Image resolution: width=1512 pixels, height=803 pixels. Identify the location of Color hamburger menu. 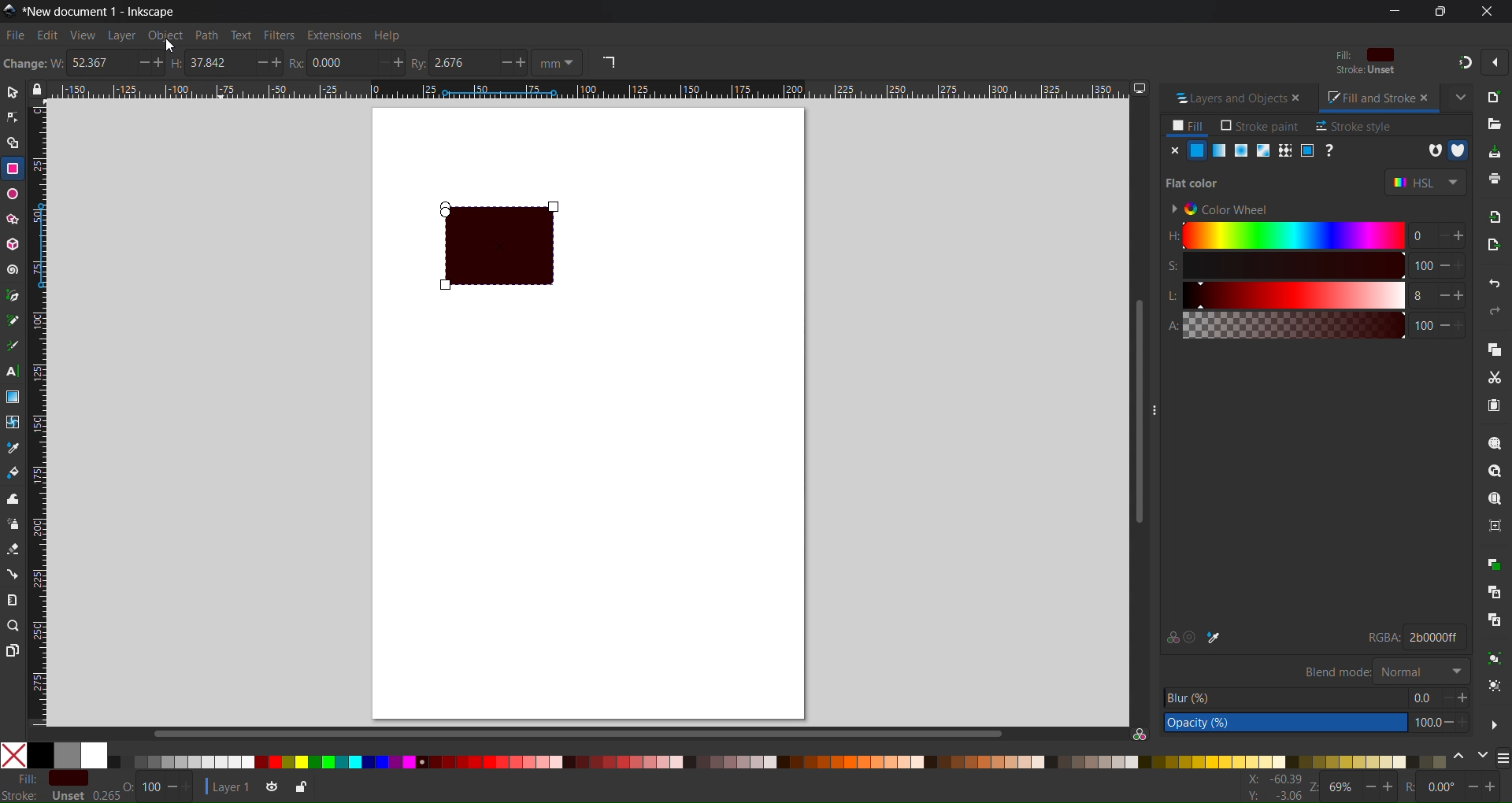
(1503, 759).